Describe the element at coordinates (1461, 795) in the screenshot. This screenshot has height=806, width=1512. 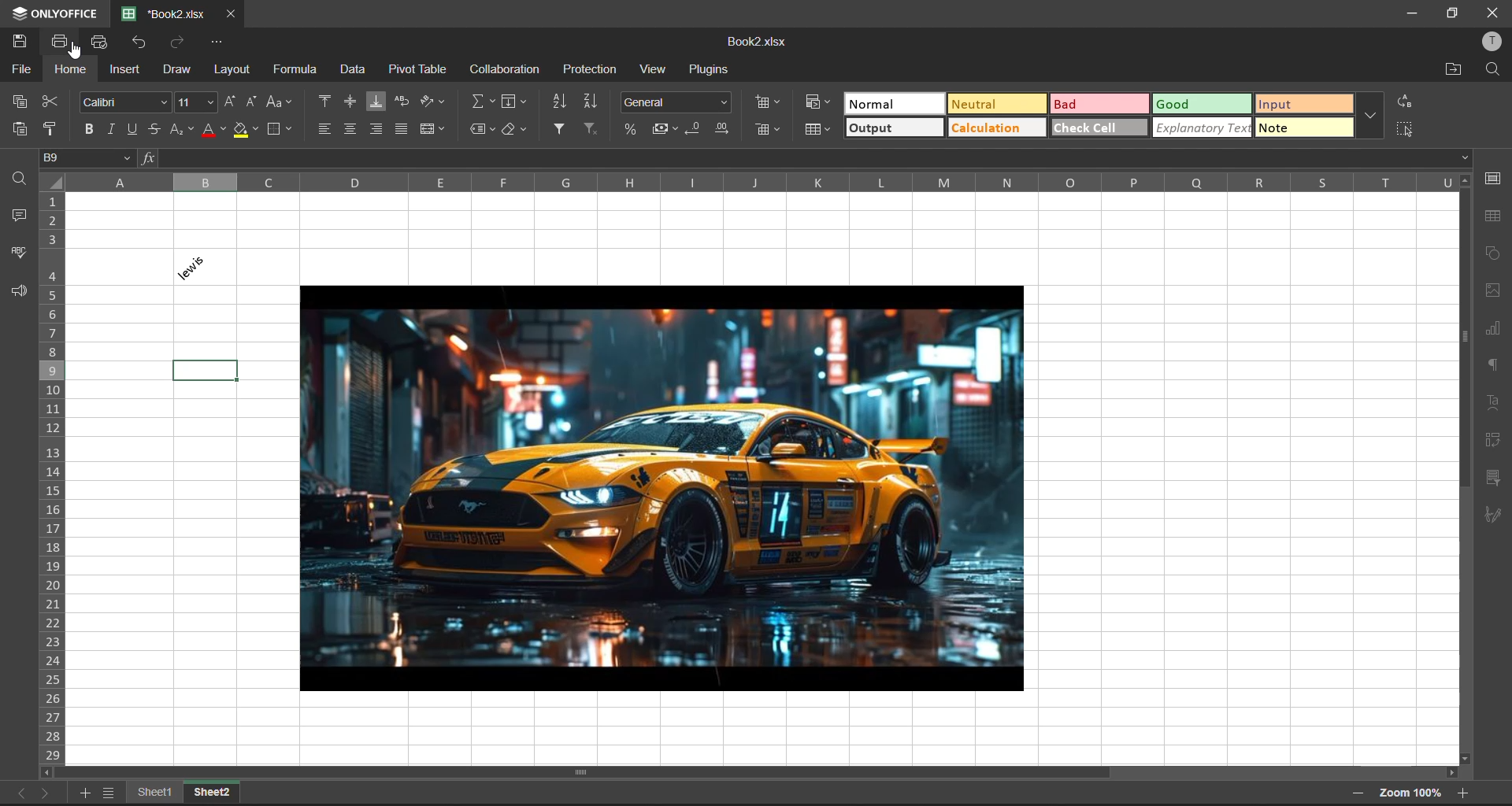
I see `zoom in` at that location.